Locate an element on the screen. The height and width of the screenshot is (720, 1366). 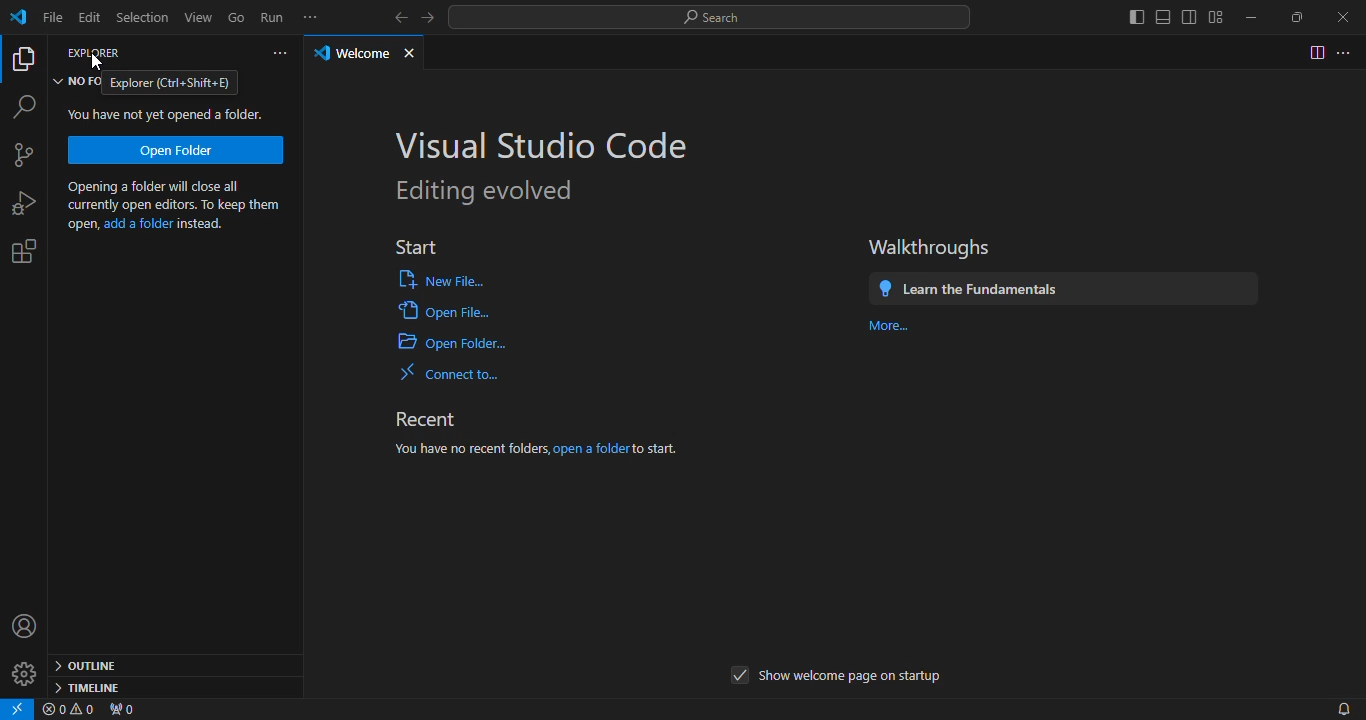
close is located at coordinates (1335, 16).